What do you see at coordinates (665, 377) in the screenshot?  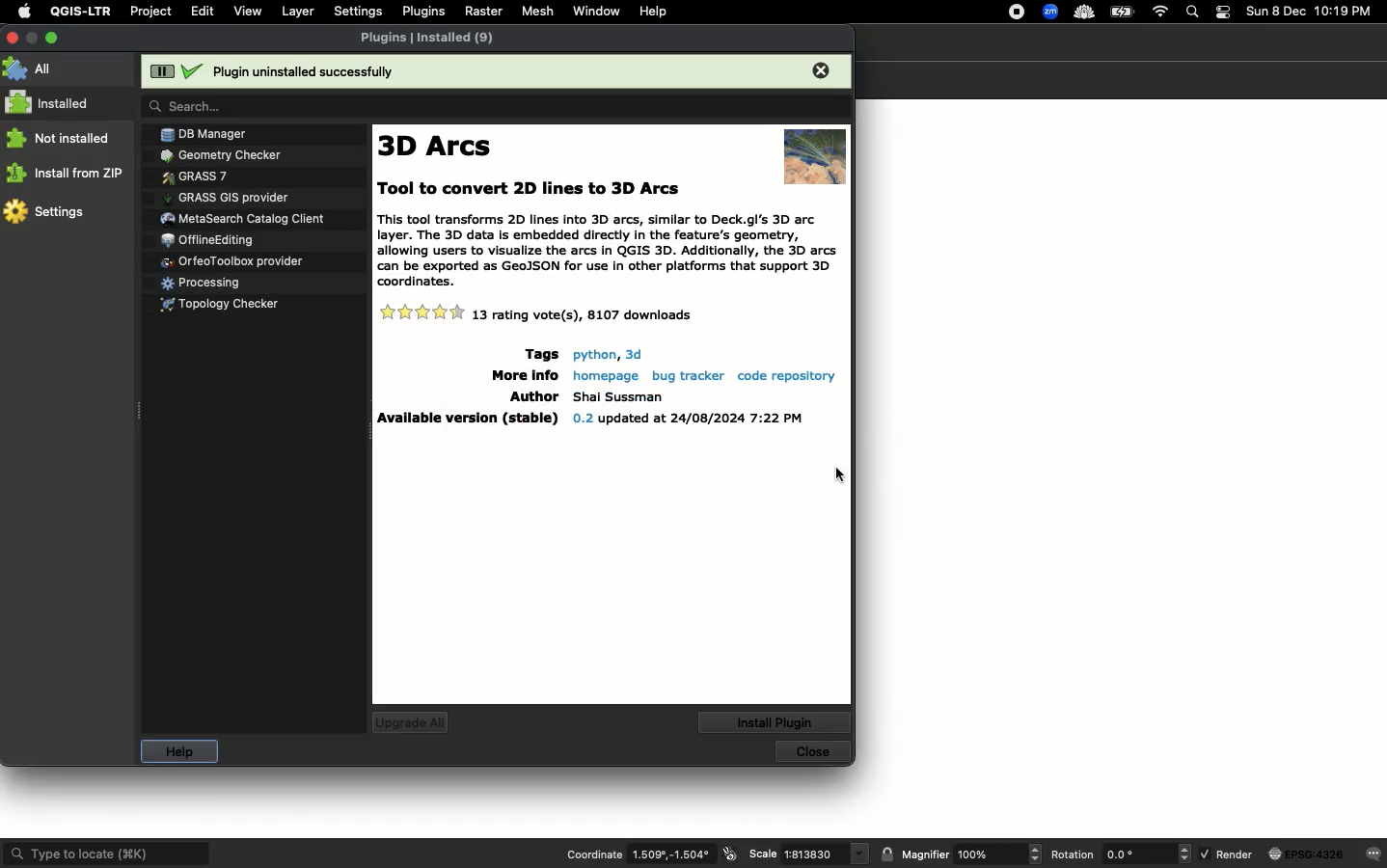 I see `Details` at bounding box center [665, 377].